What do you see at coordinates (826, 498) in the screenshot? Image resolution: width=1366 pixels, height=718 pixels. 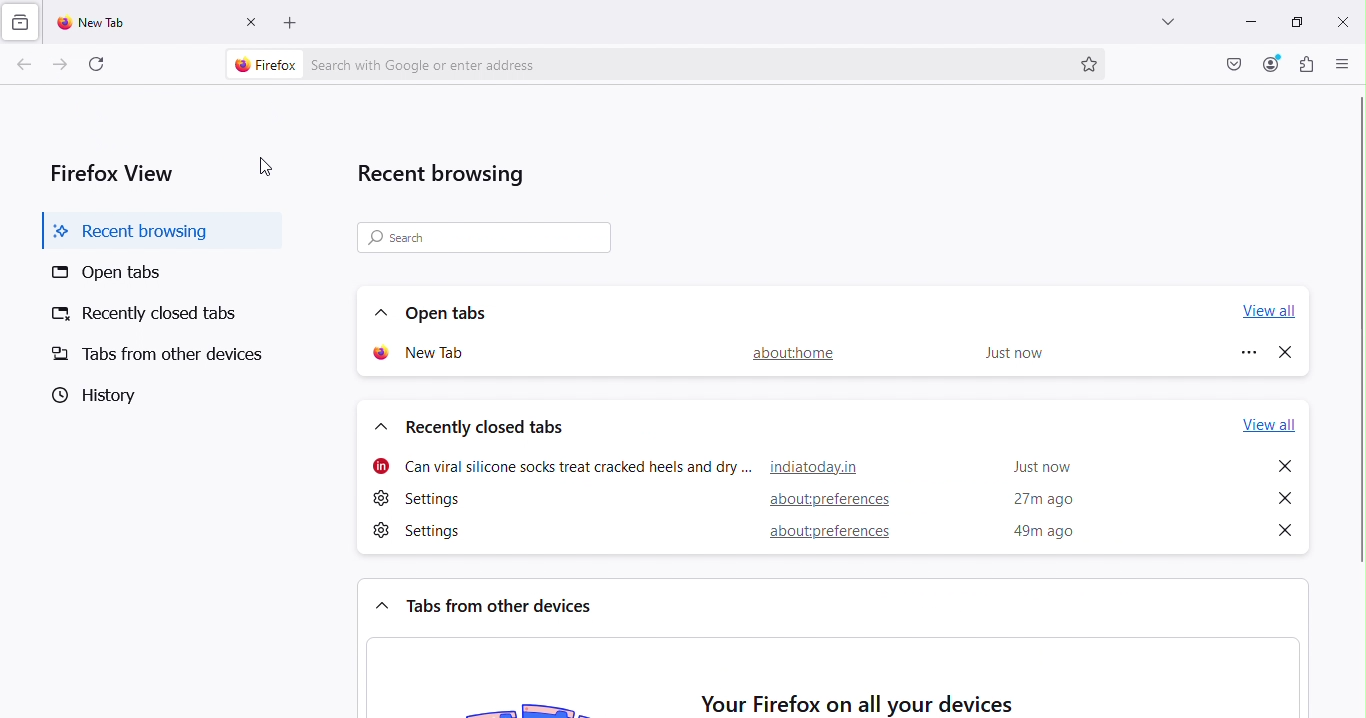 I see `hyperlink` at bounding box center [826, 498].